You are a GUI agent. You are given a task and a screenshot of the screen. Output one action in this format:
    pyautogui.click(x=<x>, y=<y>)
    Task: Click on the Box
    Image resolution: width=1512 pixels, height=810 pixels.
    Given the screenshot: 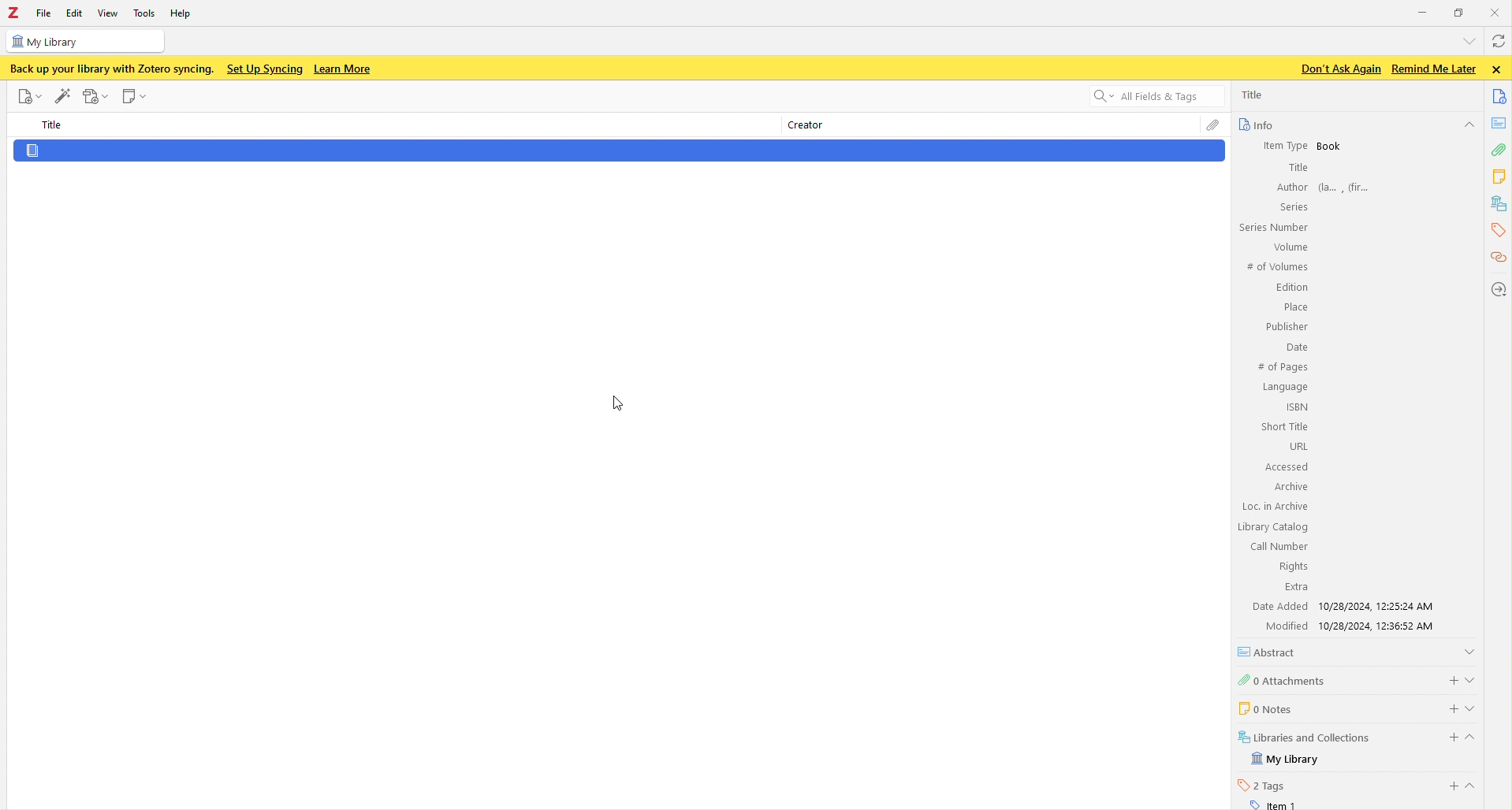 What is the action you would take?
    pyautogui.click(x=1460, y=13)
    